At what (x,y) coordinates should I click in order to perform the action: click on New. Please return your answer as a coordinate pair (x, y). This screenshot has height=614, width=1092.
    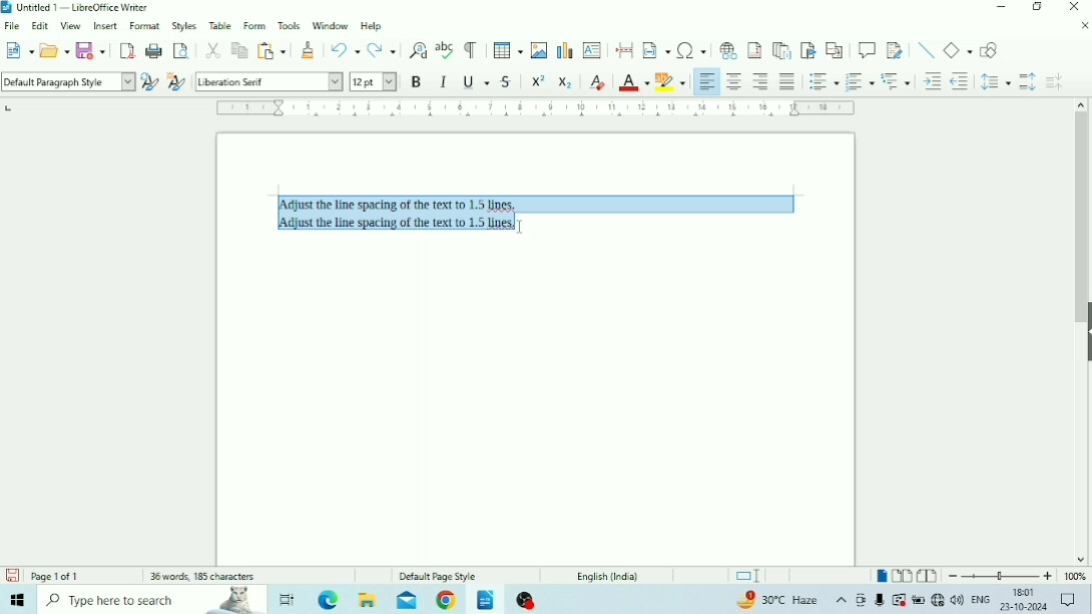
    Looking at the image, I should click on (20, 49).